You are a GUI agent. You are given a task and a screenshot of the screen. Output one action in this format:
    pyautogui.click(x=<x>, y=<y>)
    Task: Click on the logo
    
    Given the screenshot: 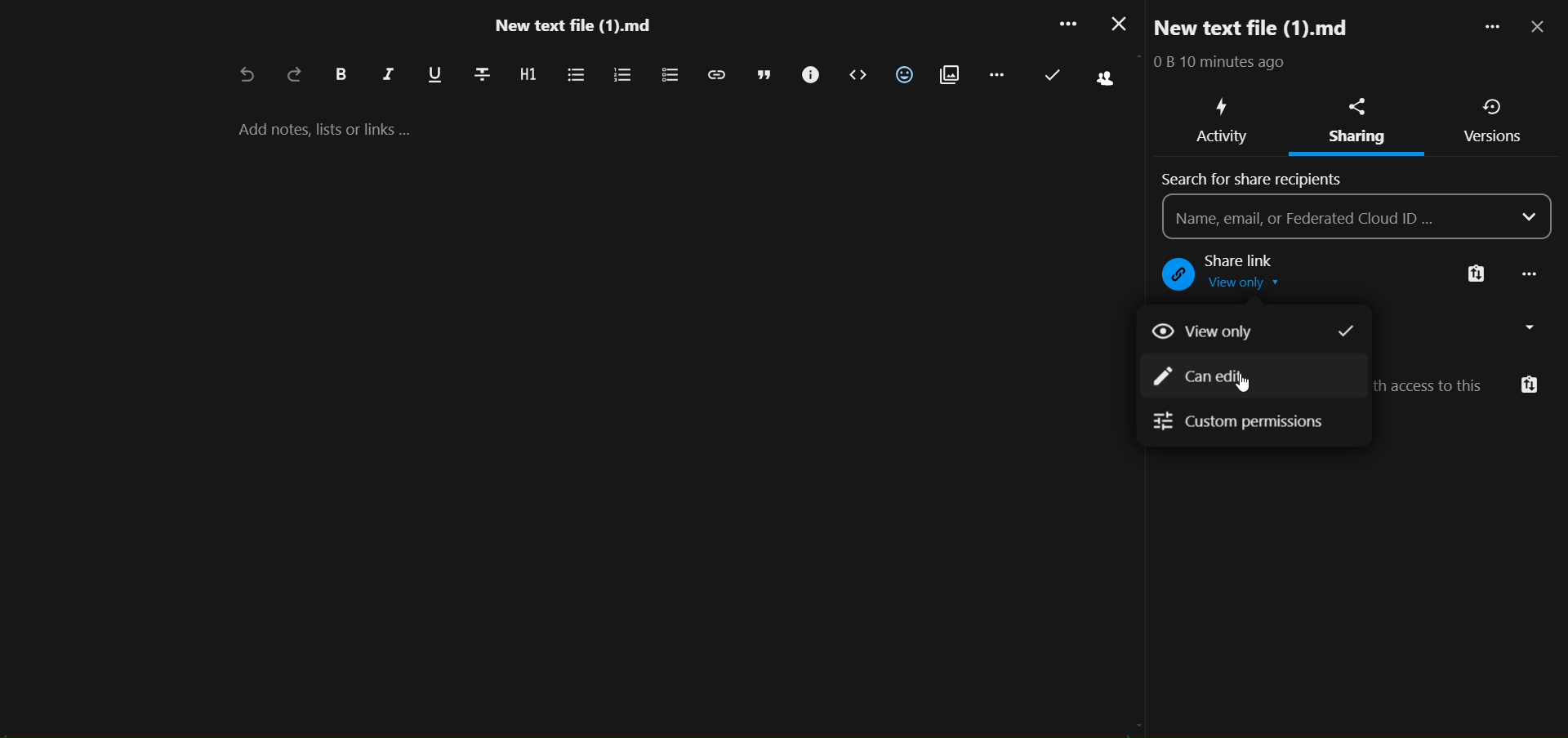 What is the action you would take?
    pyautogui.click(x=1173, y=276)
    